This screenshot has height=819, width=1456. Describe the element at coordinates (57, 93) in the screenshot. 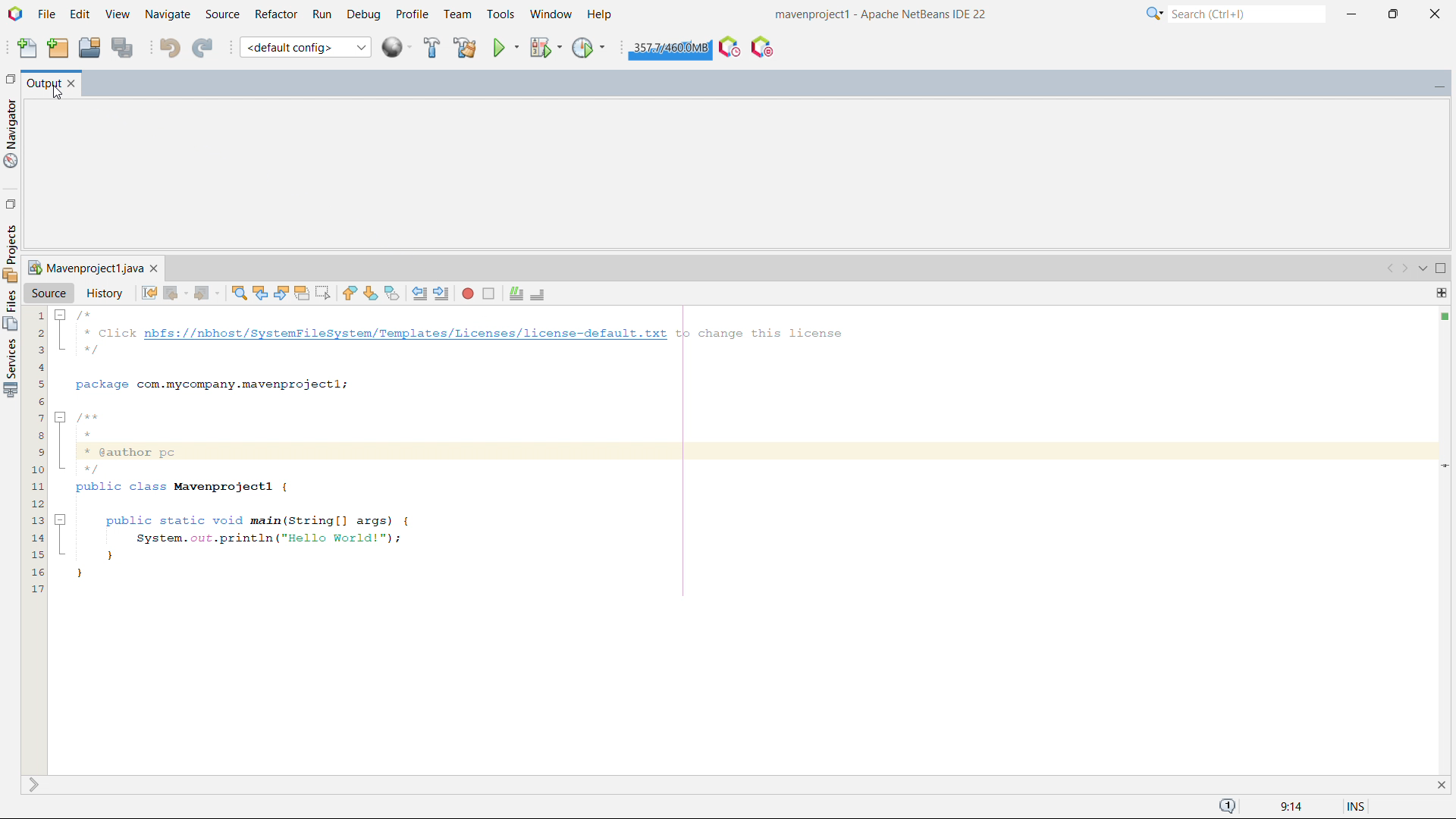

I see `cursor` at that location.